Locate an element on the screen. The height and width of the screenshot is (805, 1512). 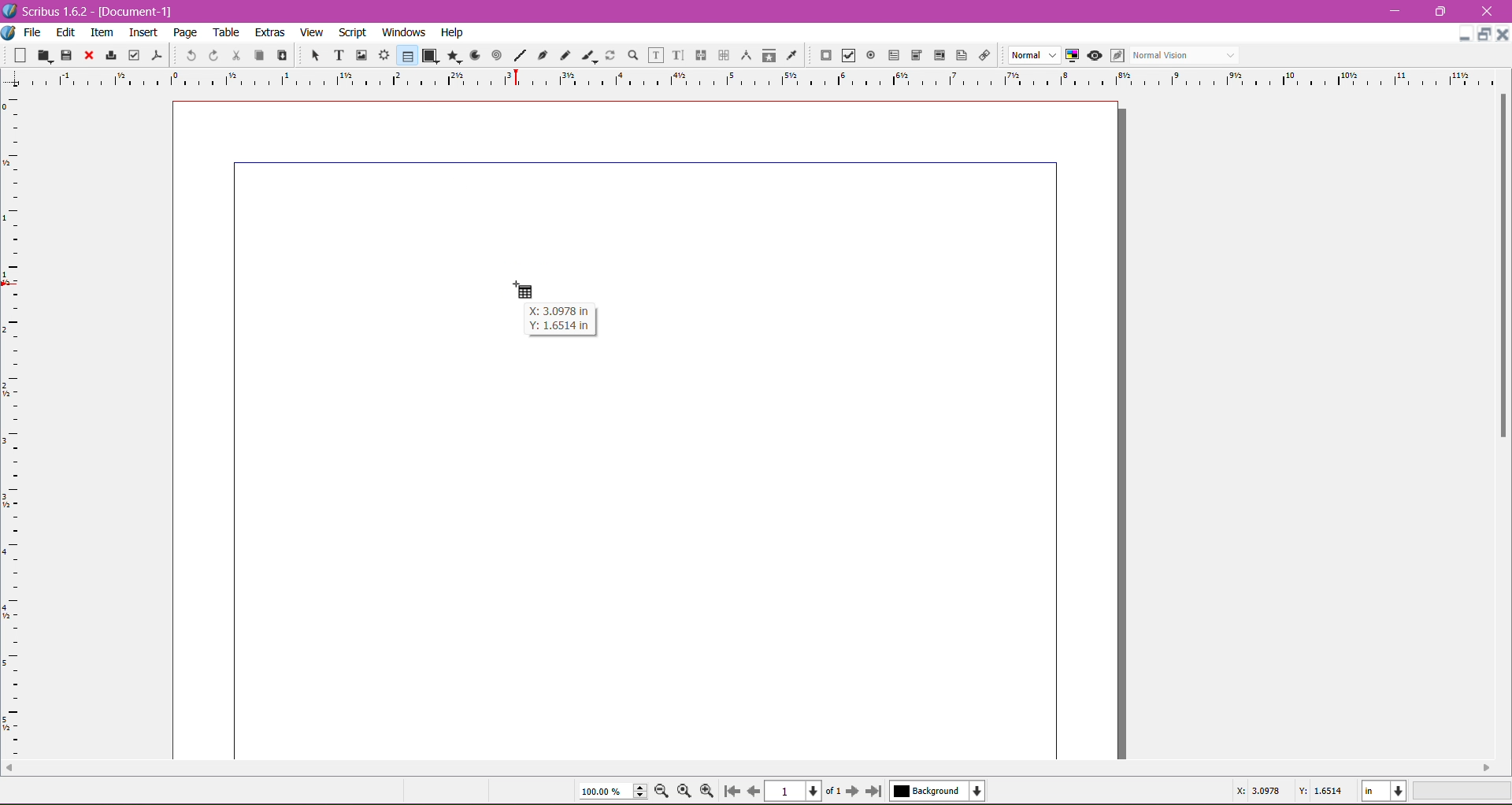
Checkbox is located at coordinates (847, 57).